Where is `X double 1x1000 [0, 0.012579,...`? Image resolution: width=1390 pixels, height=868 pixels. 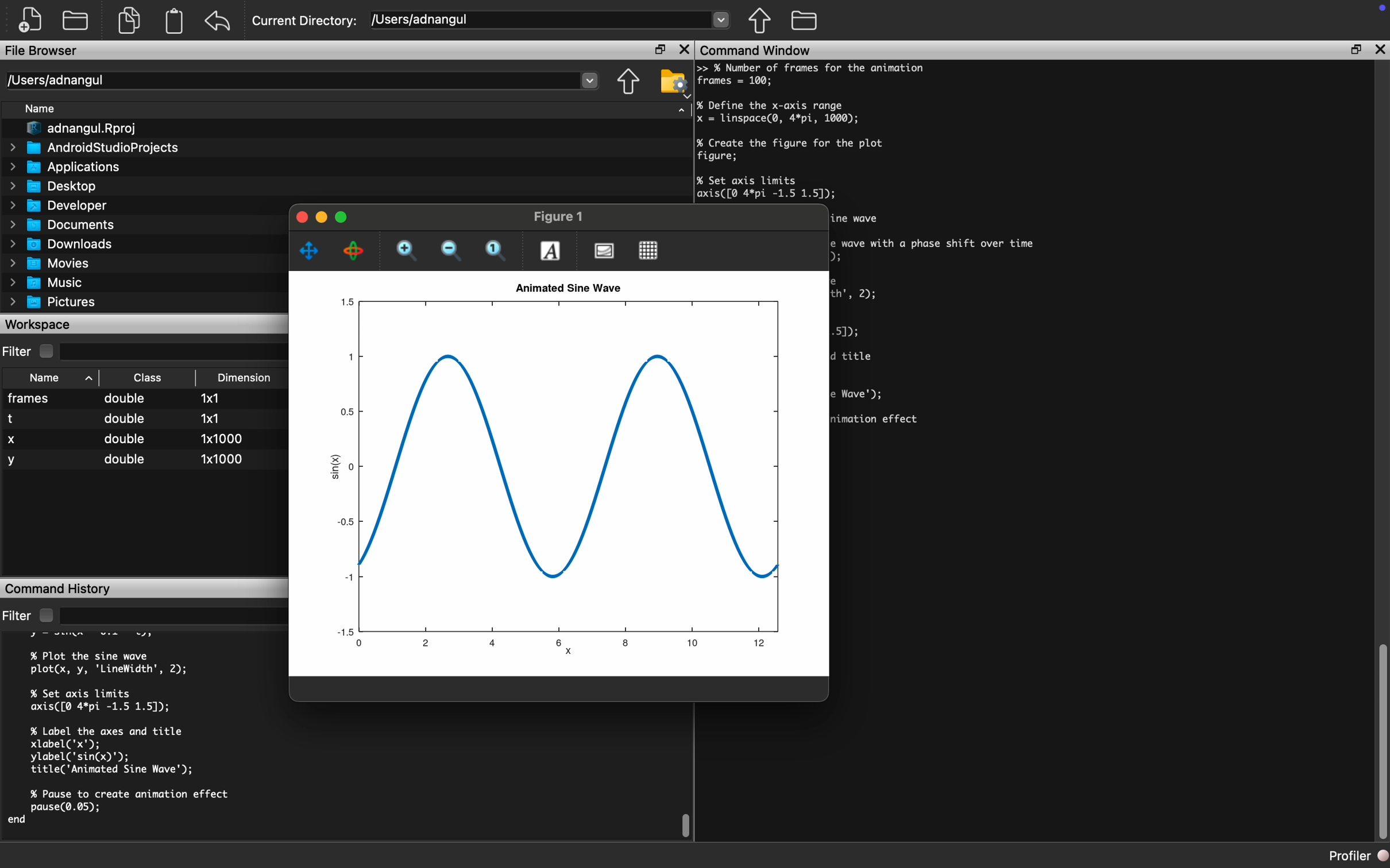
X double 1x1000 [0, 0.012579,... is located at coordinates (145, 440).